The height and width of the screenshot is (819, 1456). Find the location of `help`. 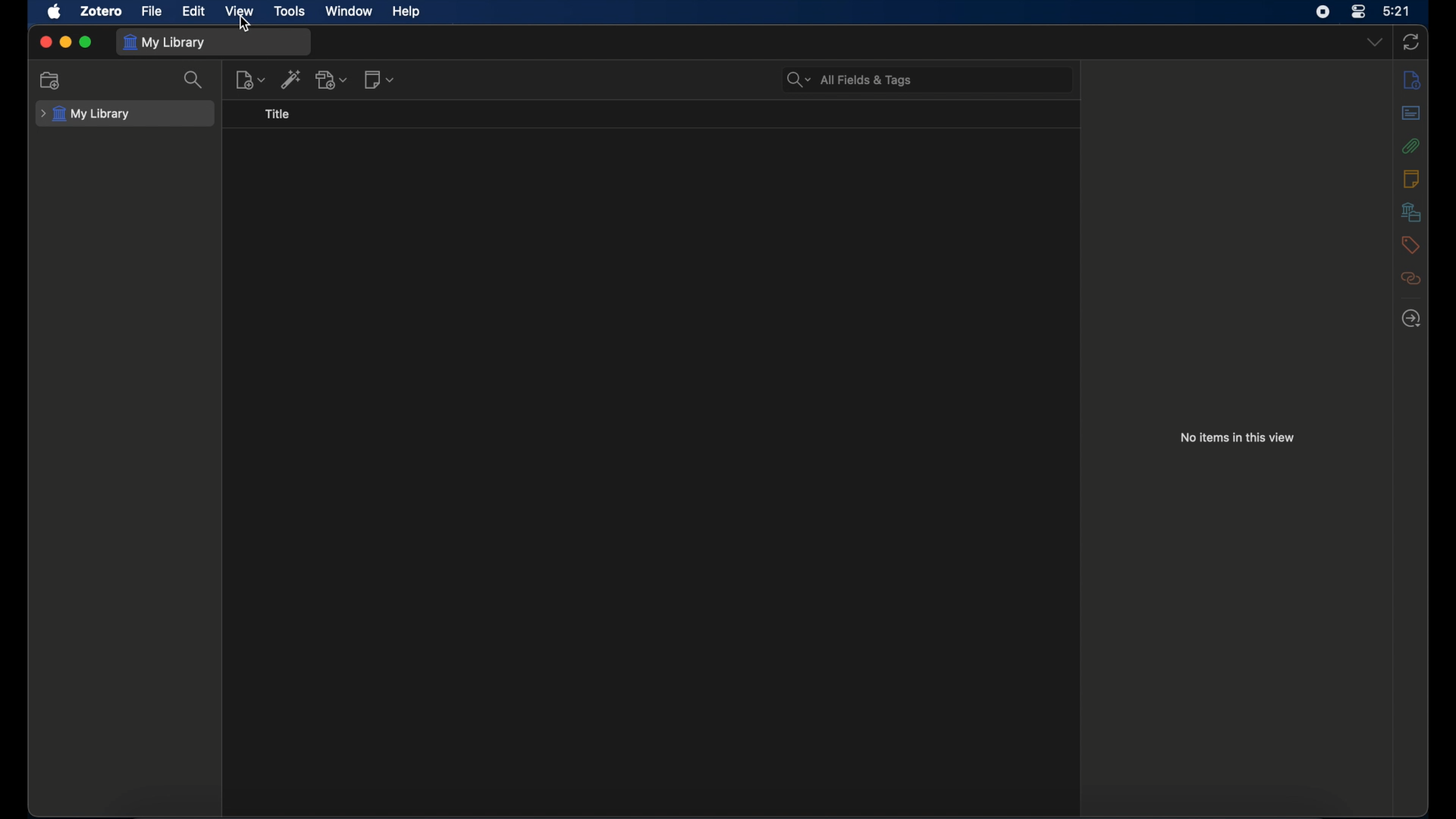

help is located at coordinates (406, 11).